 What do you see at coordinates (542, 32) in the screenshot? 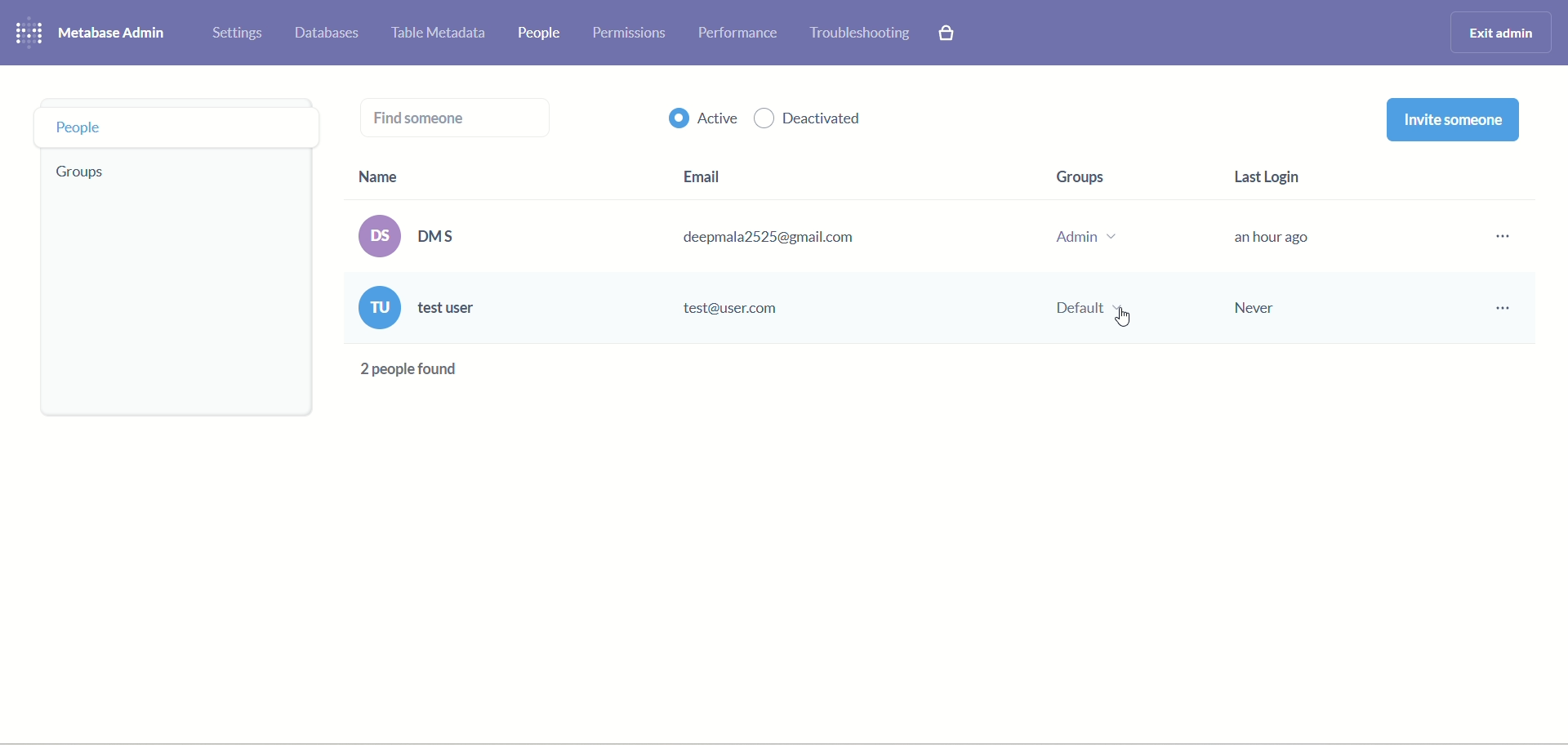
I see `people` at bounding box center [542, 32].